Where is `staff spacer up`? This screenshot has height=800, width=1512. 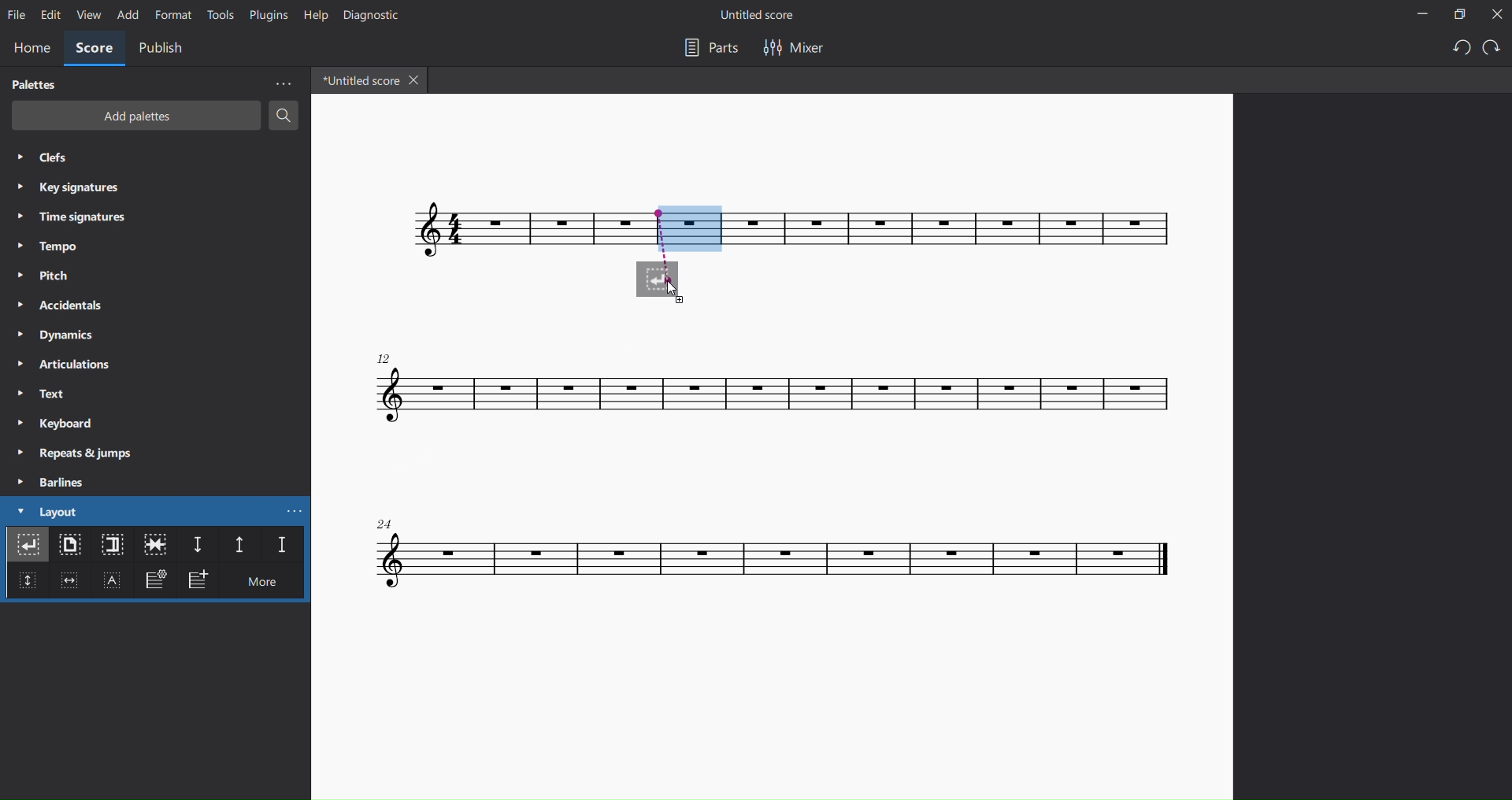
staff spacer up is located at coordinates (235, 545).